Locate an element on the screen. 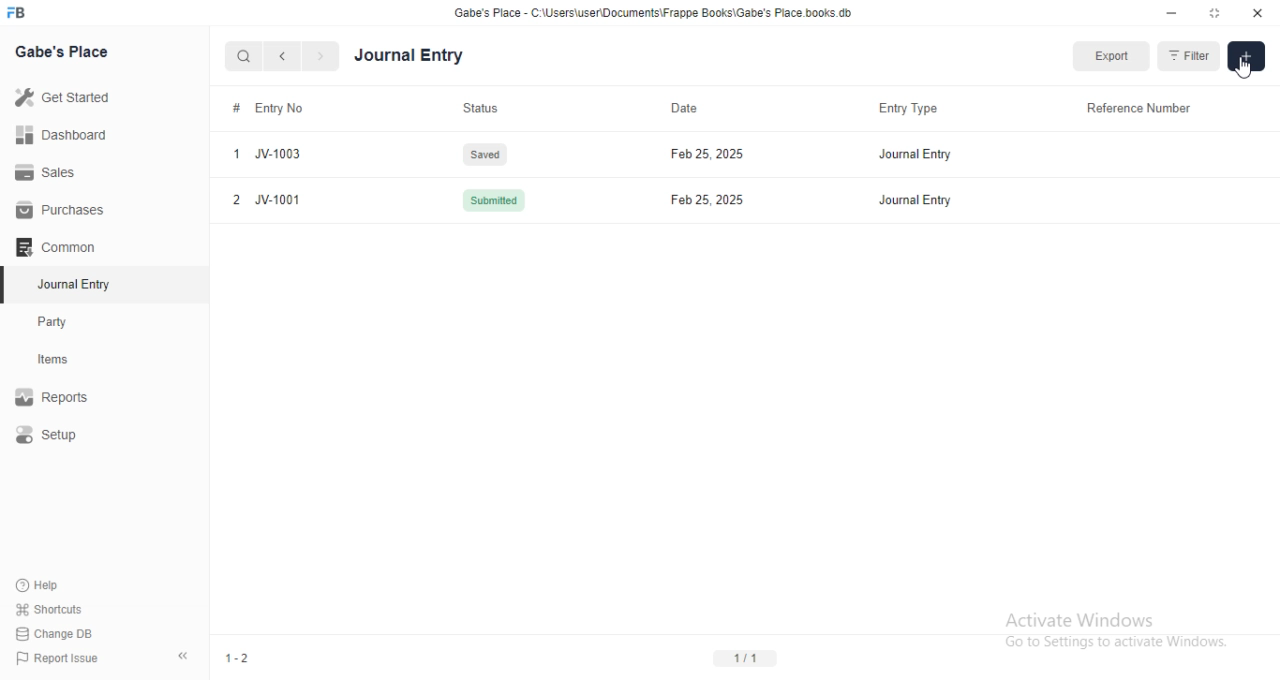 The image size is (1280, 680). JV-1003 is located at coordinates (283, 151).